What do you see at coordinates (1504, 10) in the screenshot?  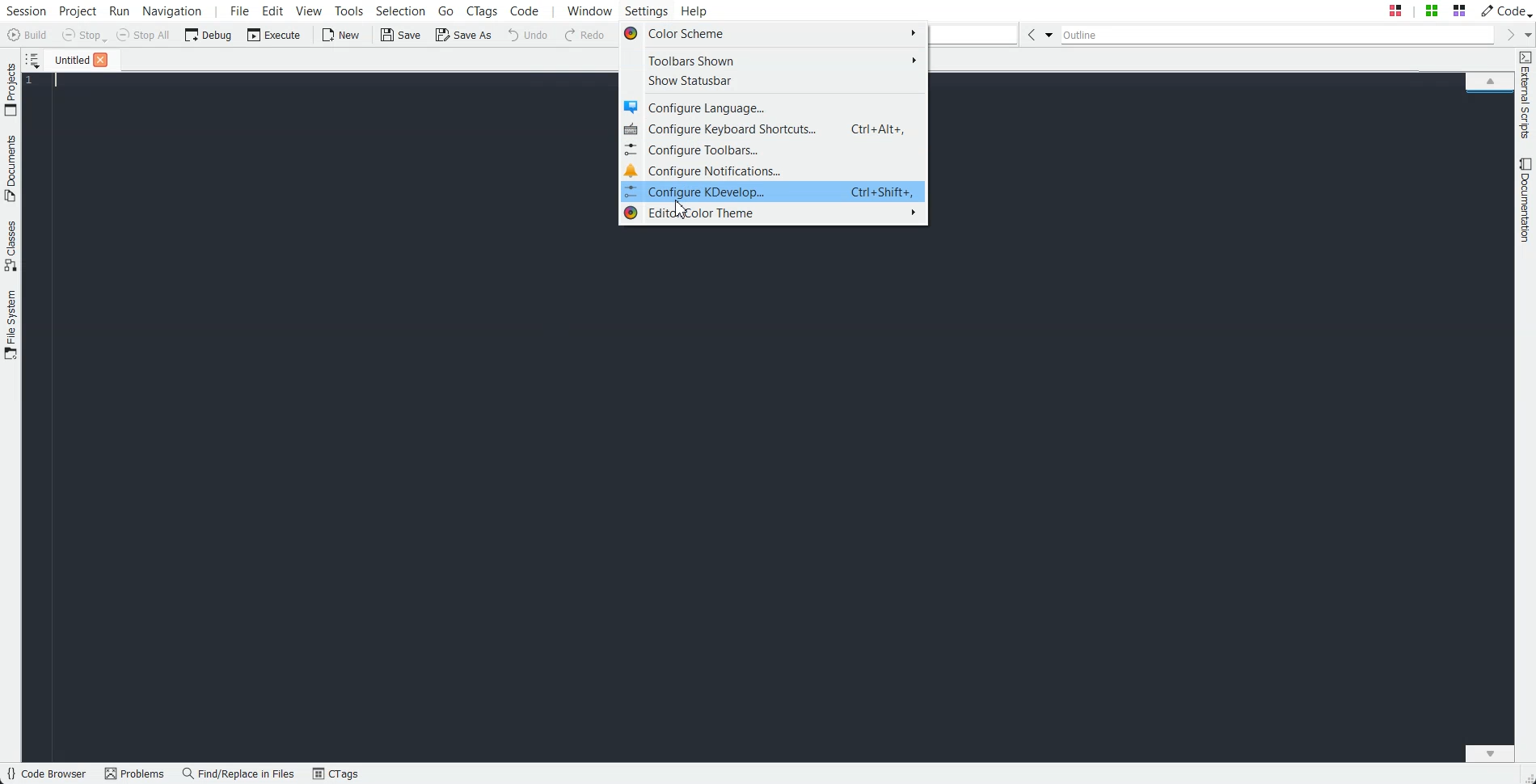 I see `Code ` at bounding box center [1504, 10].